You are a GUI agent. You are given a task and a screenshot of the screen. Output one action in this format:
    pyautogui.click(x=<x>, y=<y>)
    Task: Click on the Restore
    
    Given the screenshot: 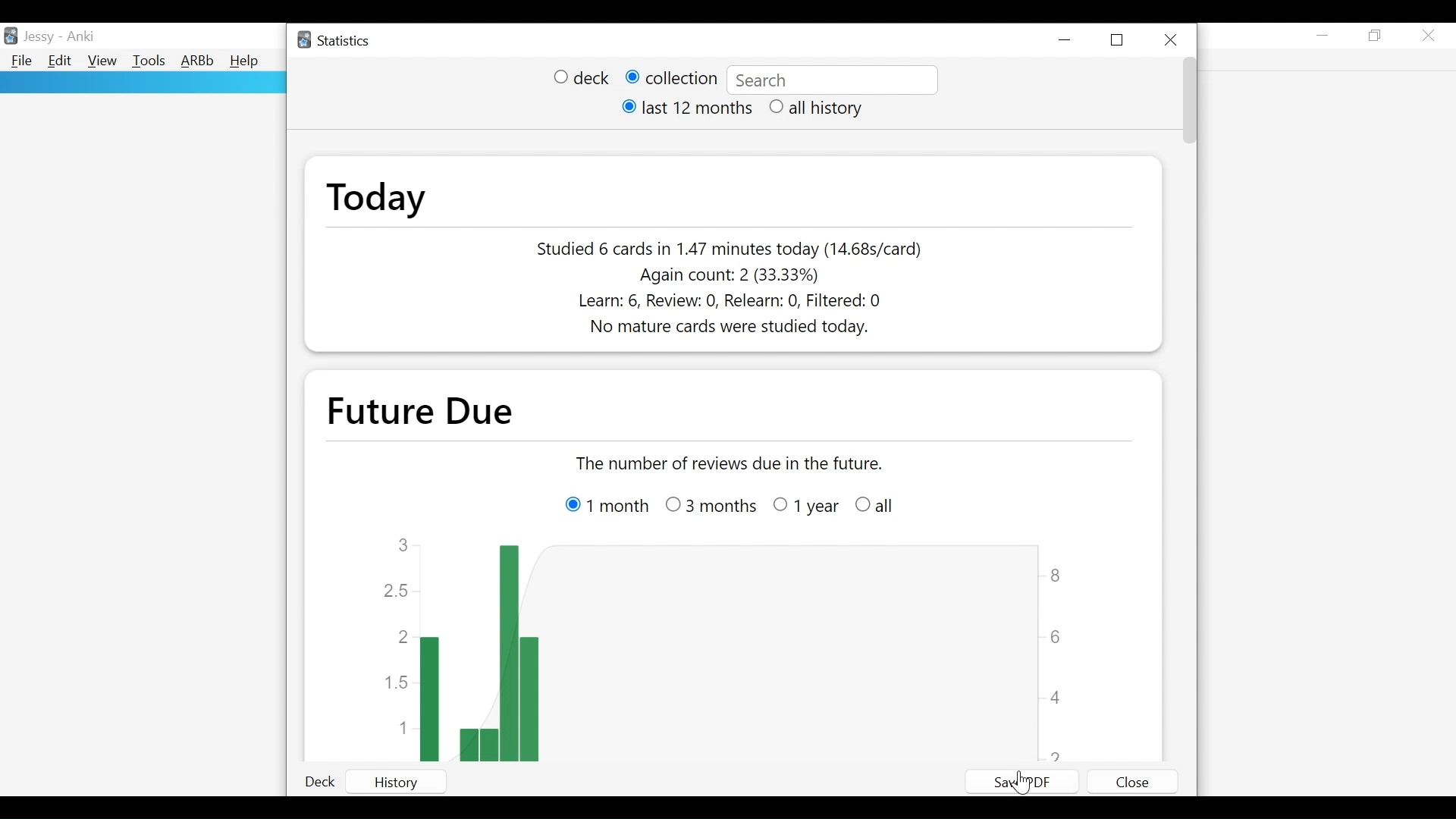 What is the action you would take?
    pyautogui.click(x=1377, y=36)
    